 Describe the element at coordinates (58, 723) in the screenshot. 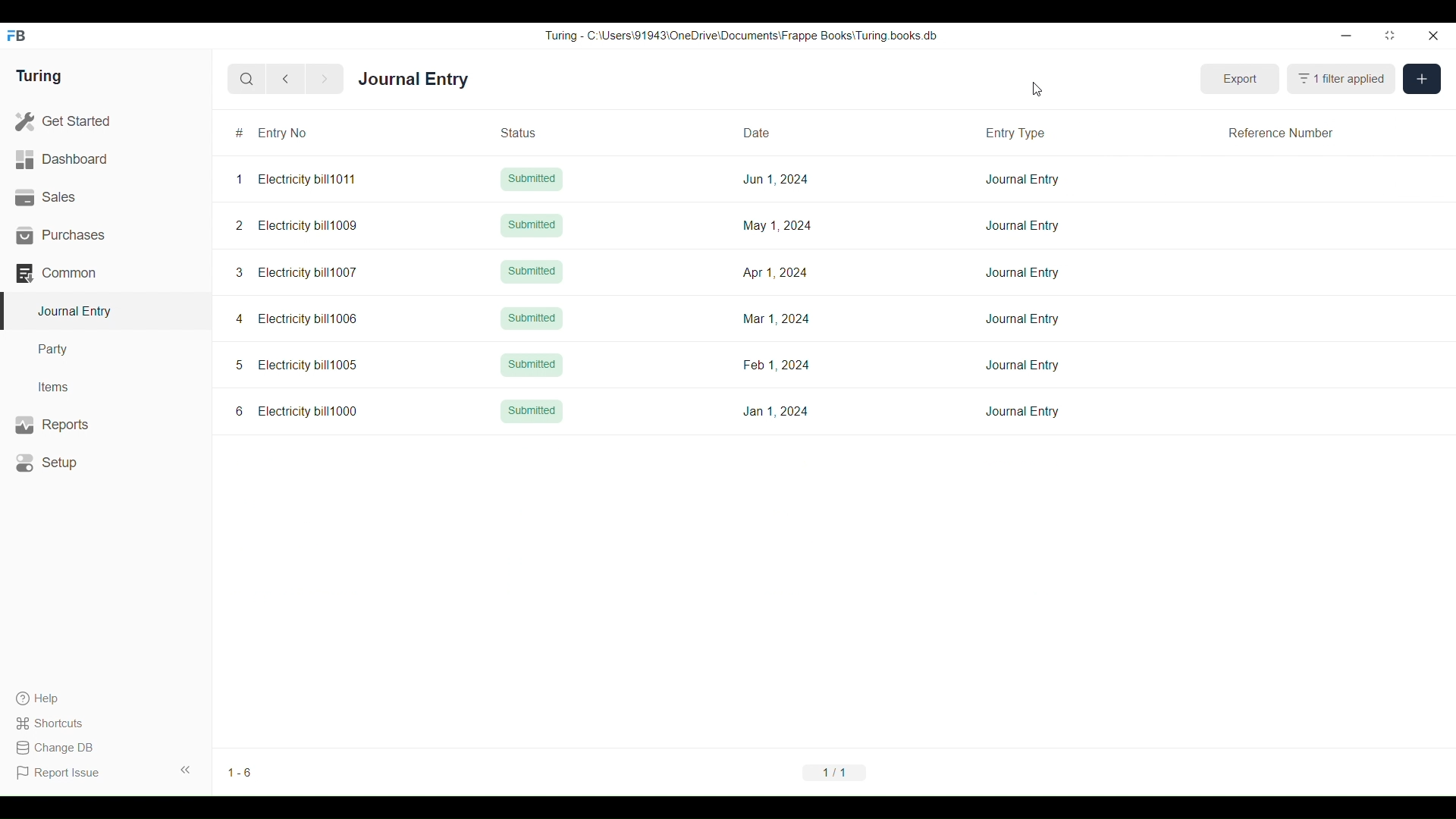

I see `Shortcuts` at that location.